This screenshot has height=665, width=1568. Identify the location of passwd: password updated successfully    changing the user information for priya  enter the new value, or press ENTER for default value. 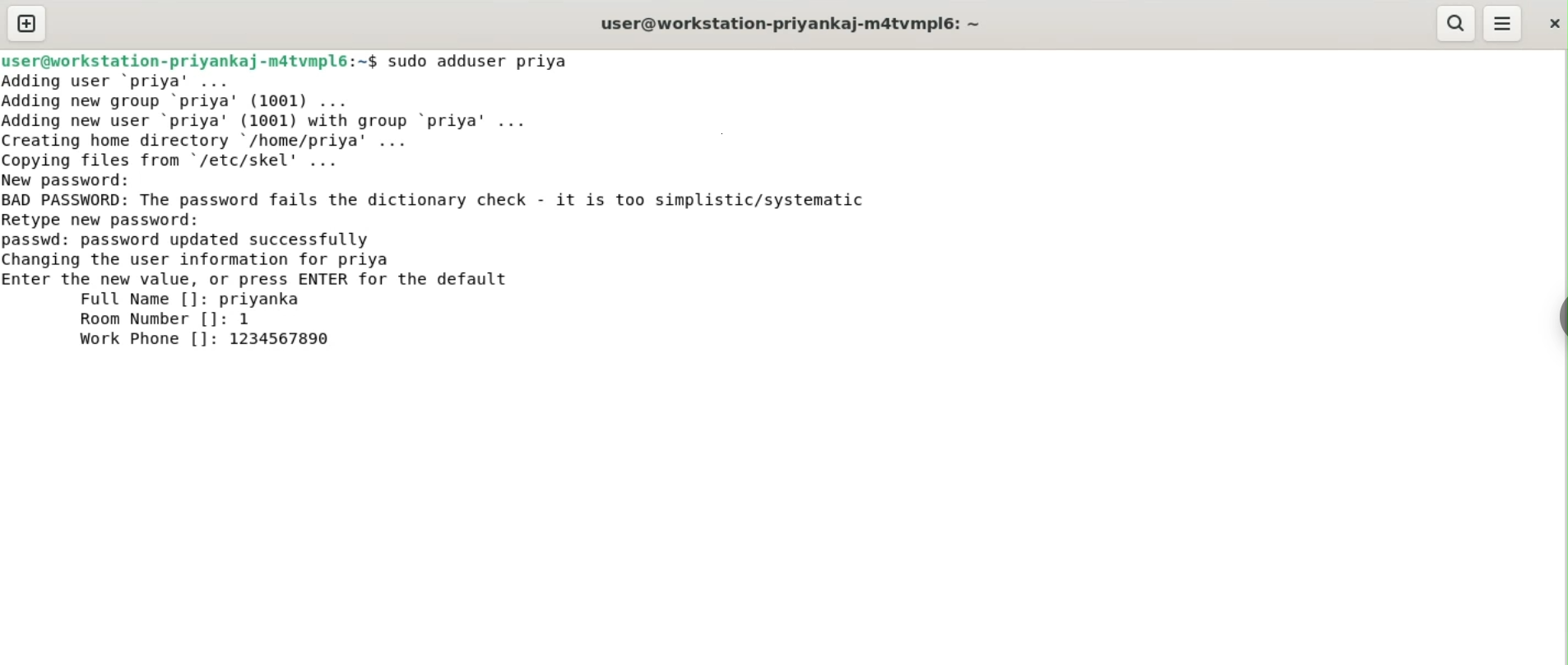
(295, 257).